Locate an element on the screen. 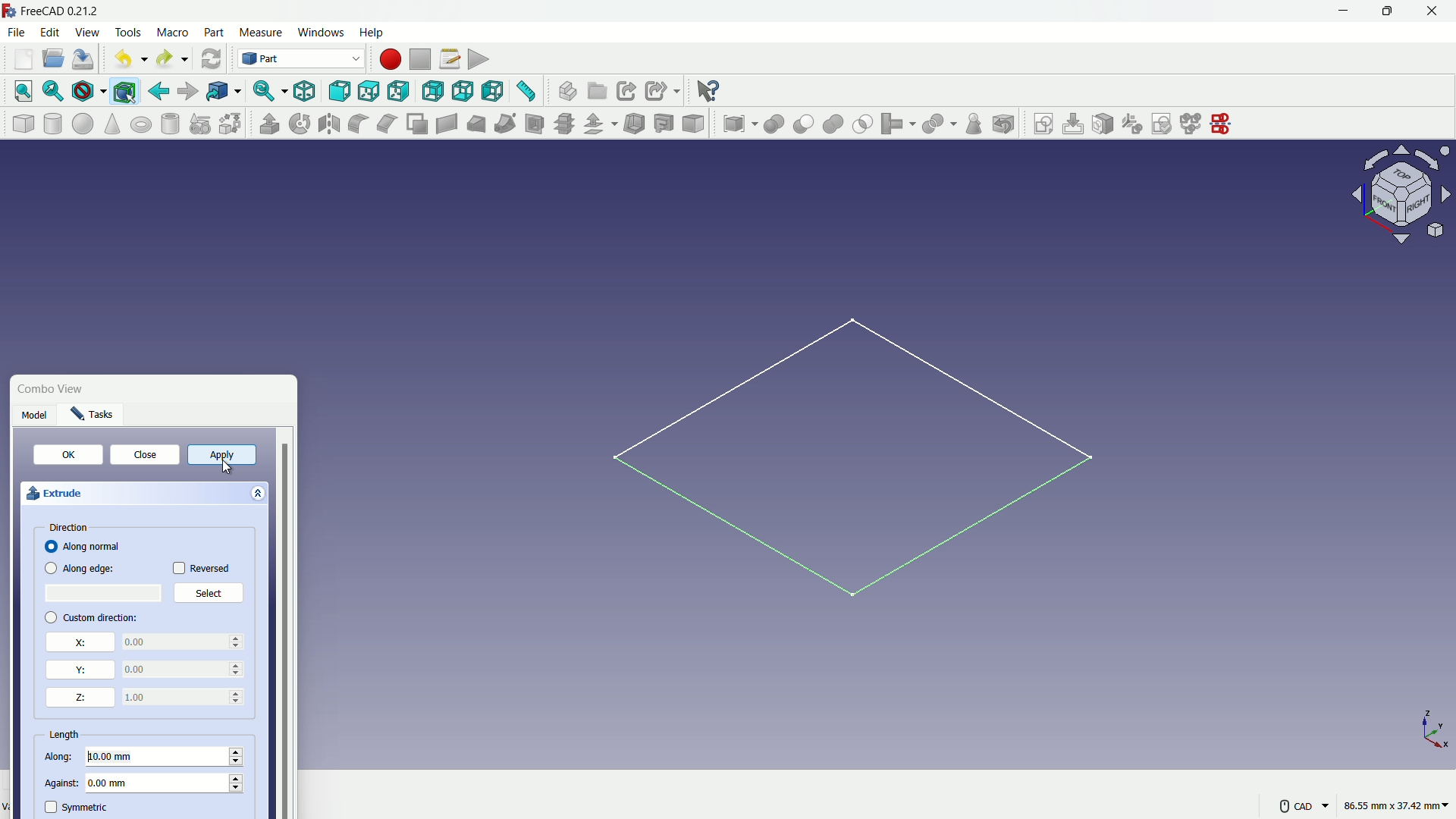 This screenshot has width=1456, height=819. create link is located at coordinates (627, 91).